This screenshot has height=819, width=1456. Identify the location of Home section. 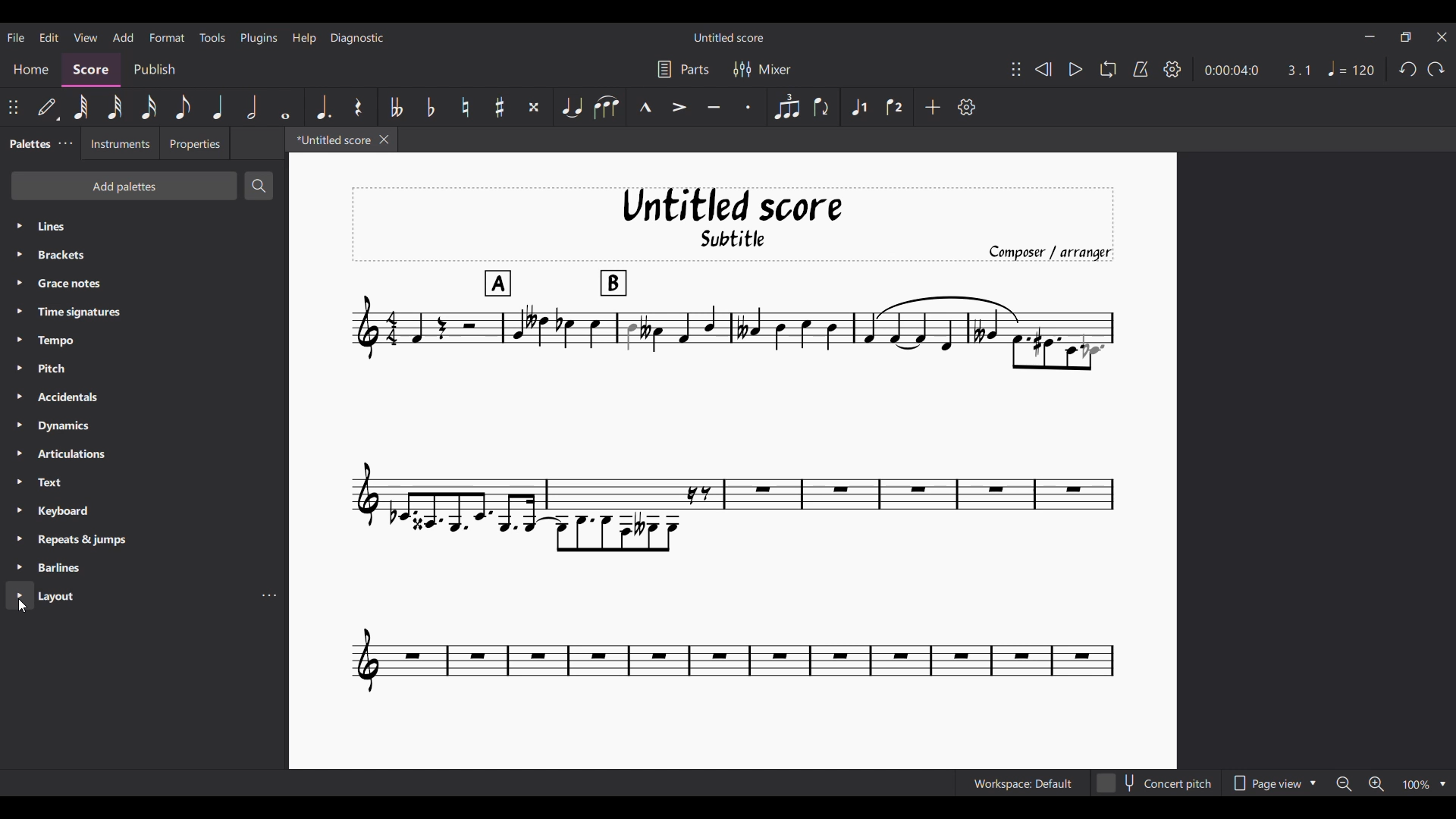
(30, 70).